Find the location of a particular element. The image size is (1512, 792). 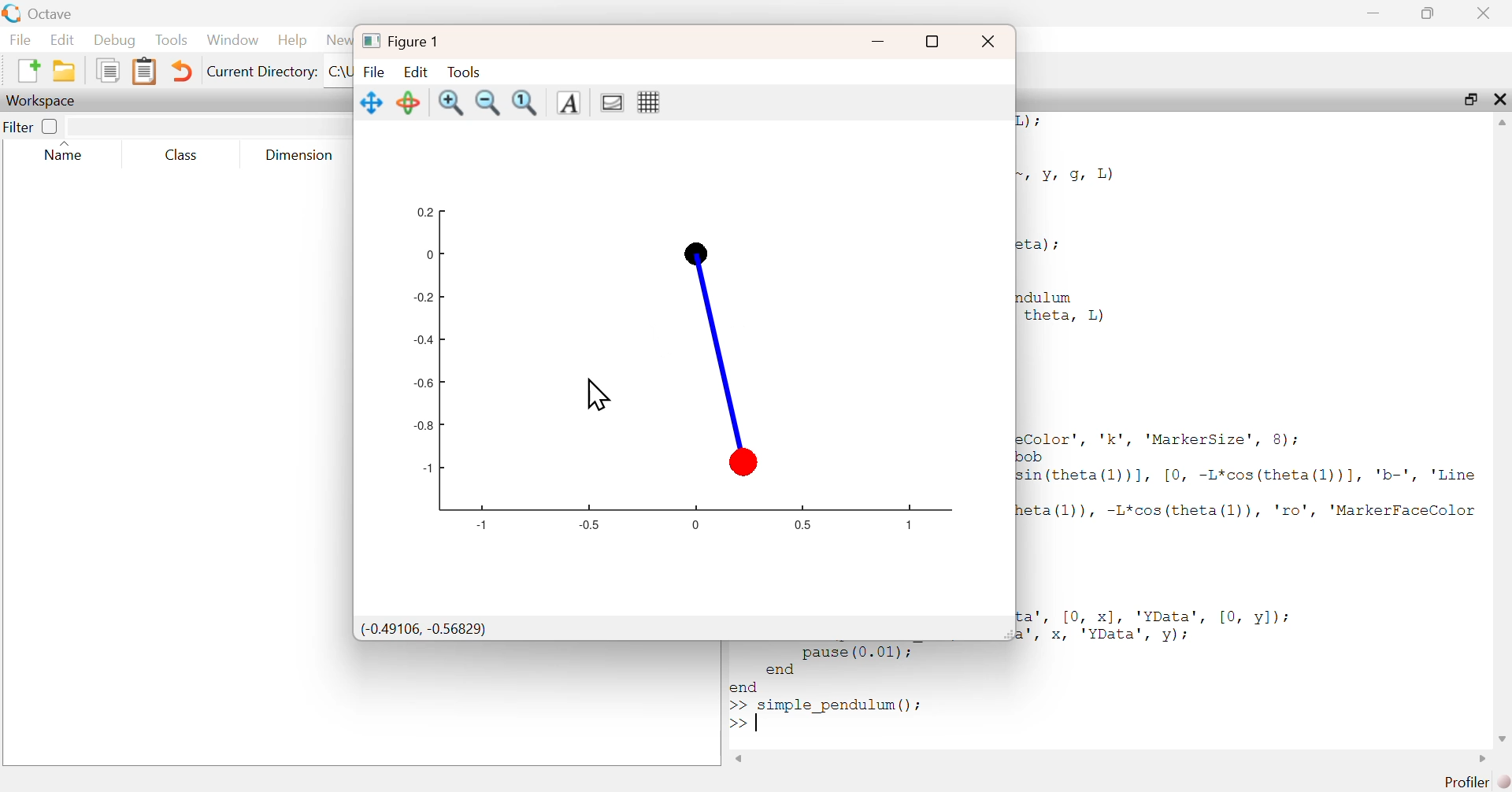

Cursor is located at coordinates (598, 397).